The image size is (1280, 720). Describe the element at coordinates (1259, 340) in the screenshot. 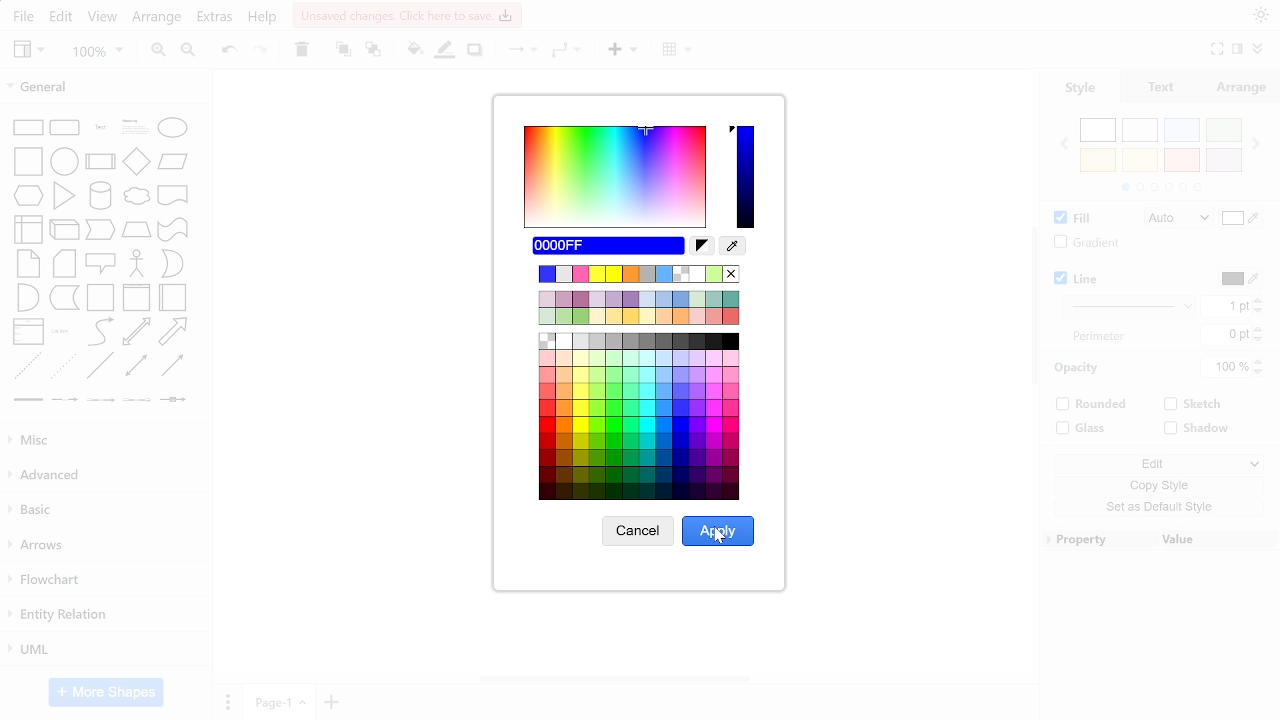

I see `decrease perimeter` at that location.